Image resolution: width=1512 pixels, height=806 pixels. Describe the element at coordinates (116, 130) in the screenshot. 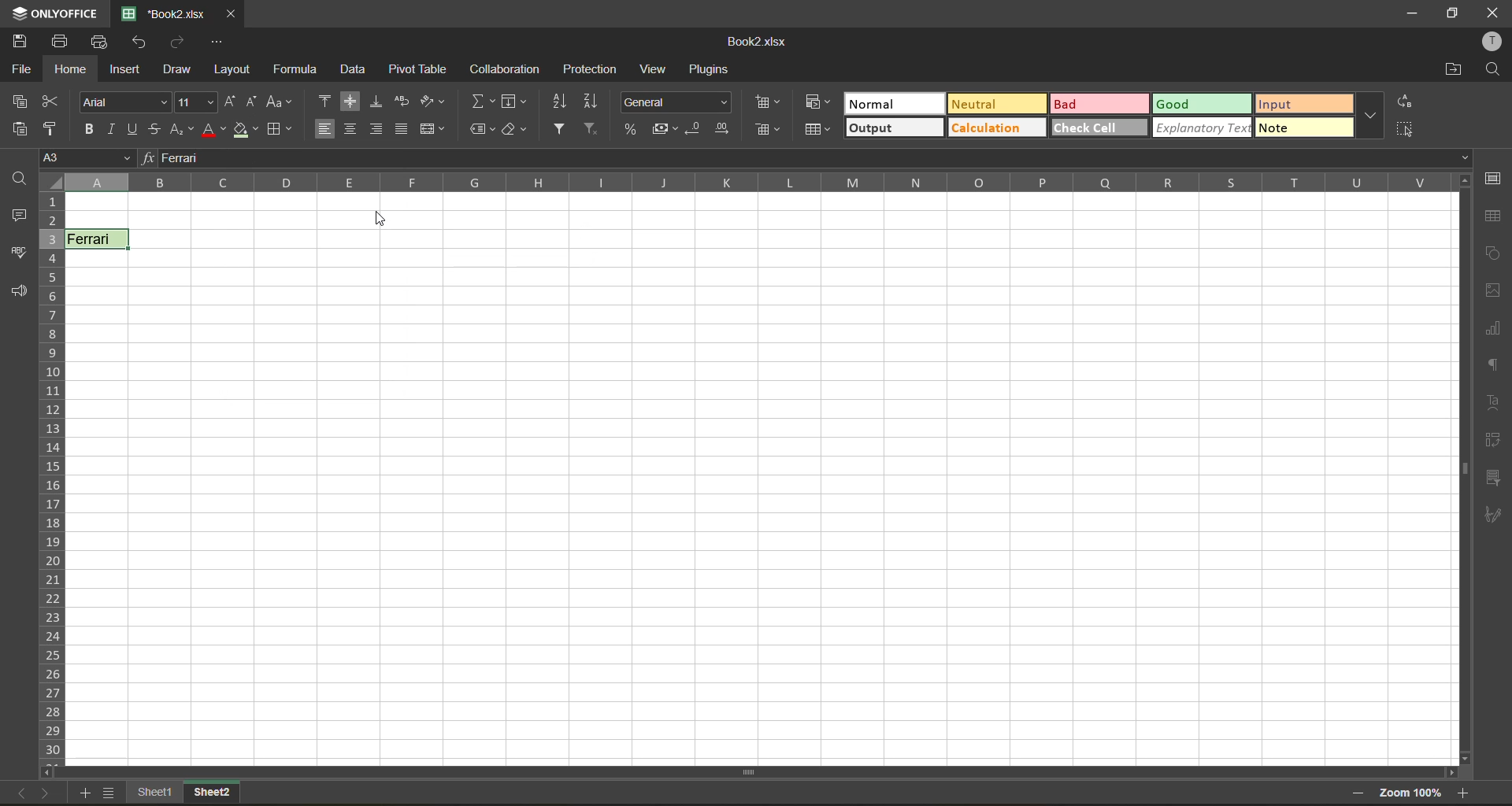

I see `italic` at that location.